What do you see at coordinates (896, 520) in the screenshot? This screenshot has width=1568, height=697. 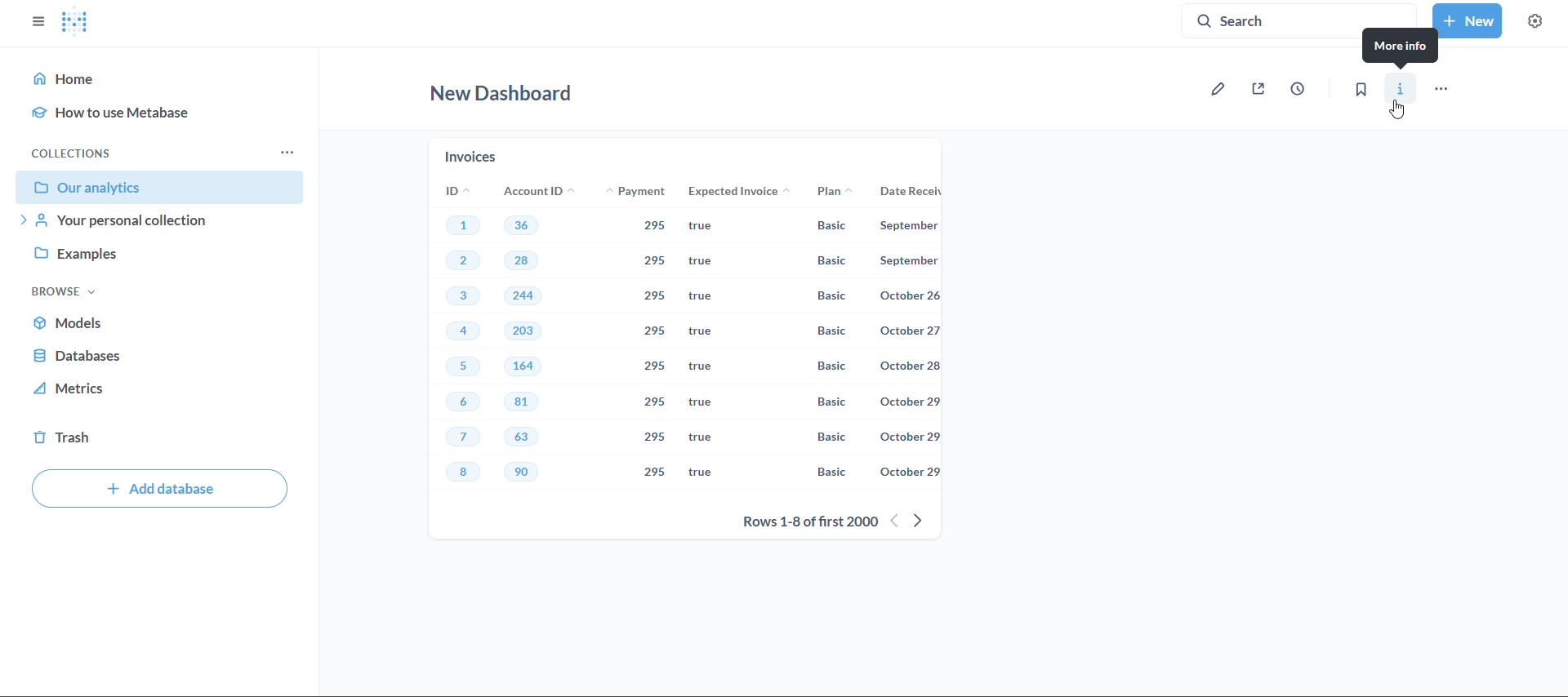 I see `previous rows` at bounding box center [896, 520].